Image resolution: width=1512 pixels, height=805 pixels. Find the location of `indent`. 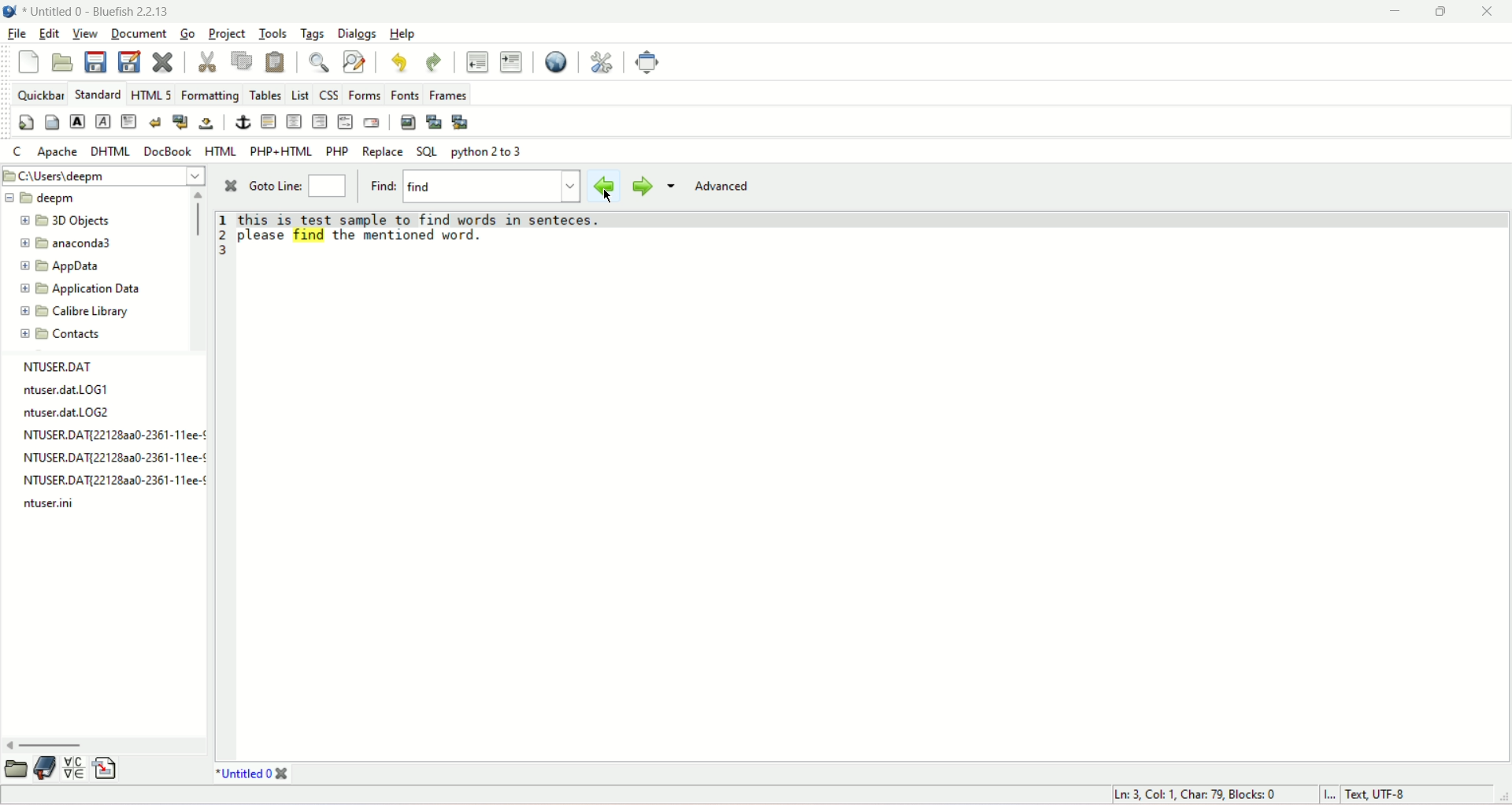

indent is located at coordinates (511, 62).